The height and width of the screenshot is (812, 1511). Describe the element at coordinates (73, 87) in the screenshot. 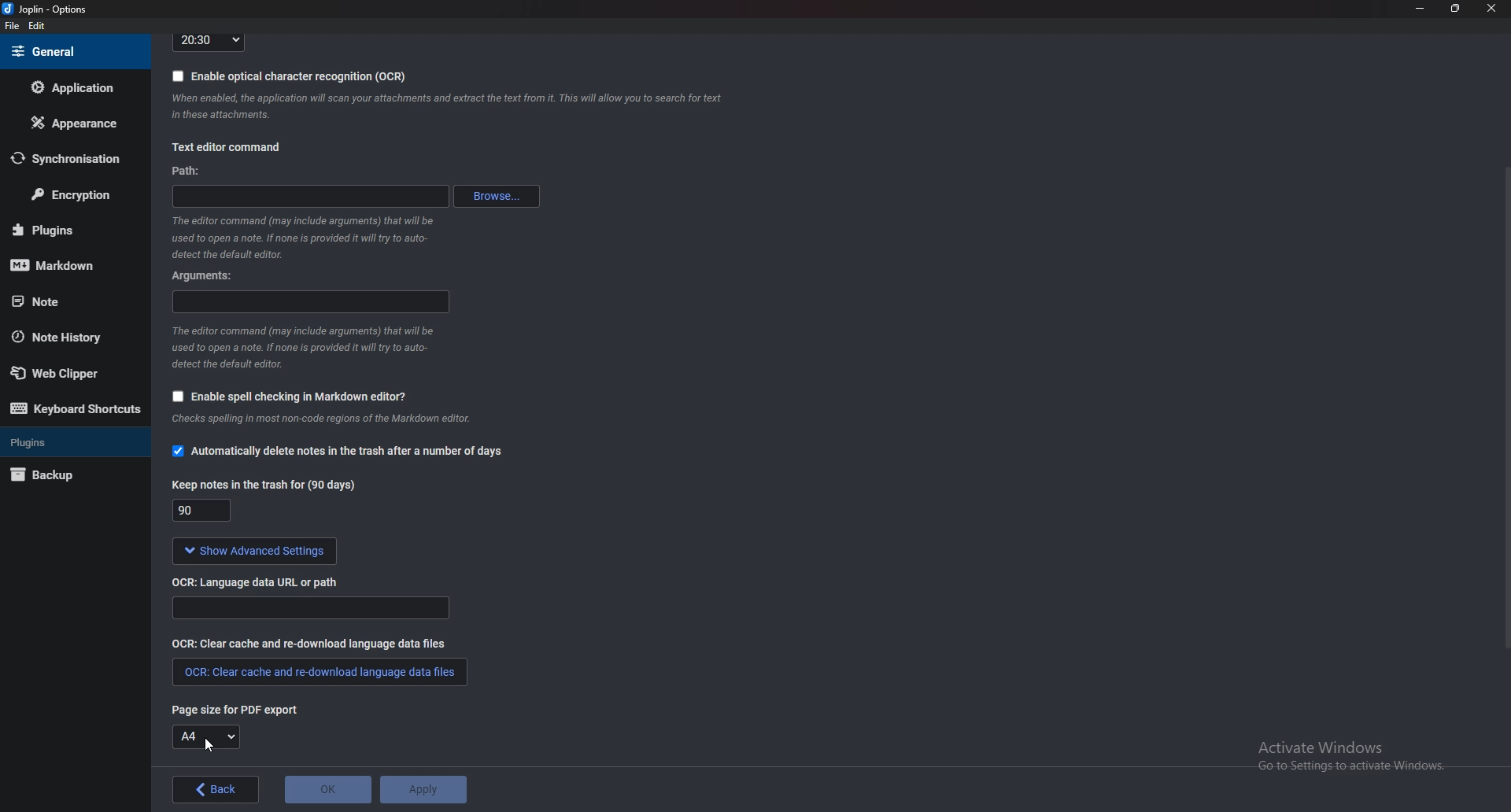

I see `Application` at that location.